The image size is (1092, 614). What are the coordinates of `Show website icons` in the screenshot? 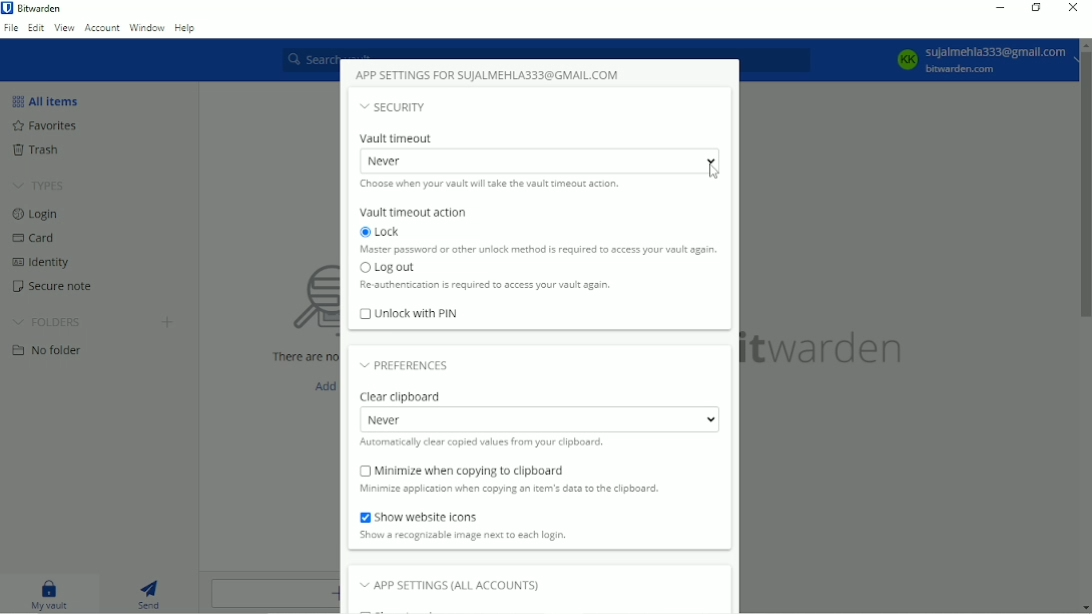 It's located at (421, 516).